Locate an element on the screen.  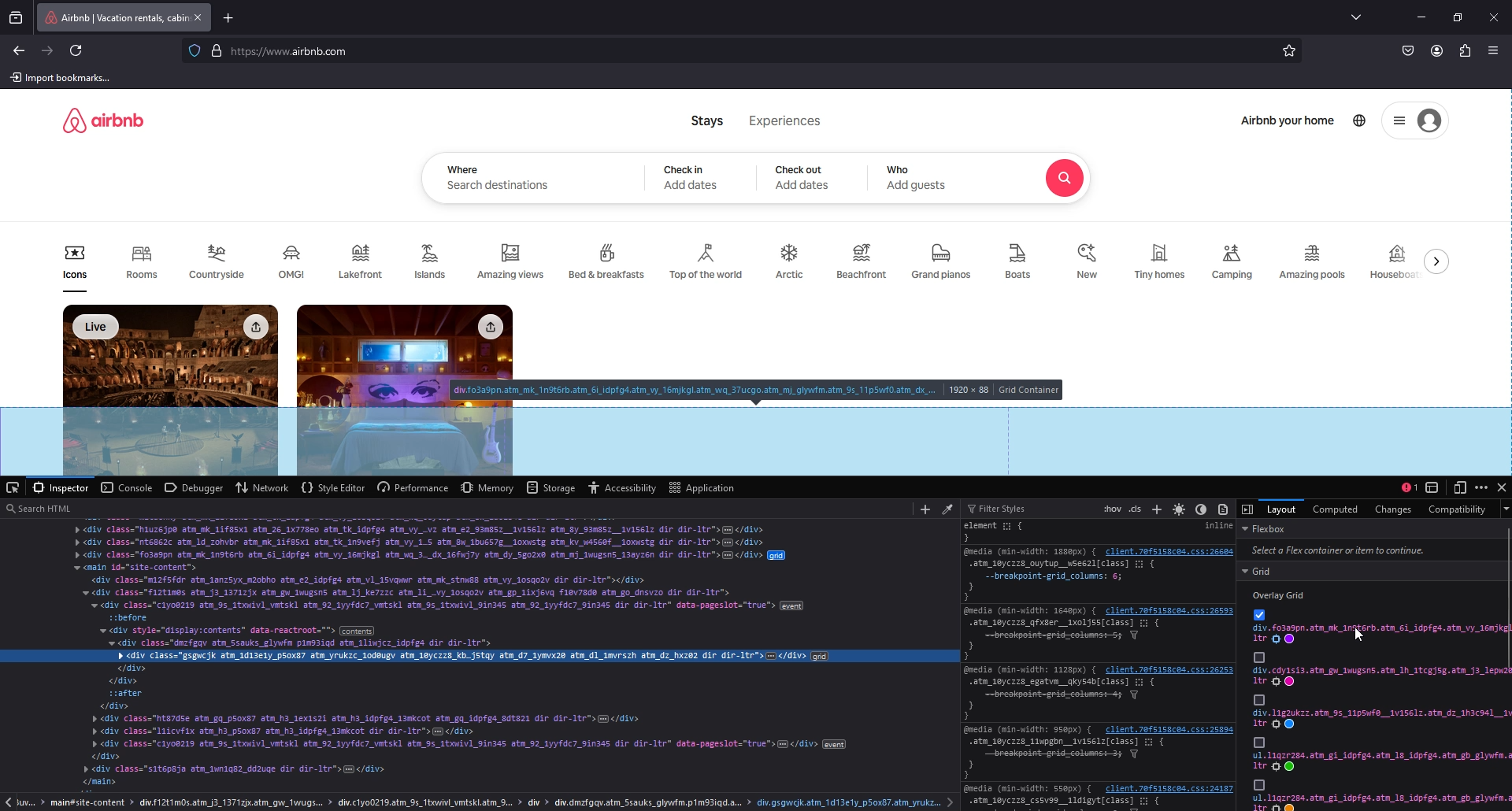
refresh is located at coordinates (78, 51).